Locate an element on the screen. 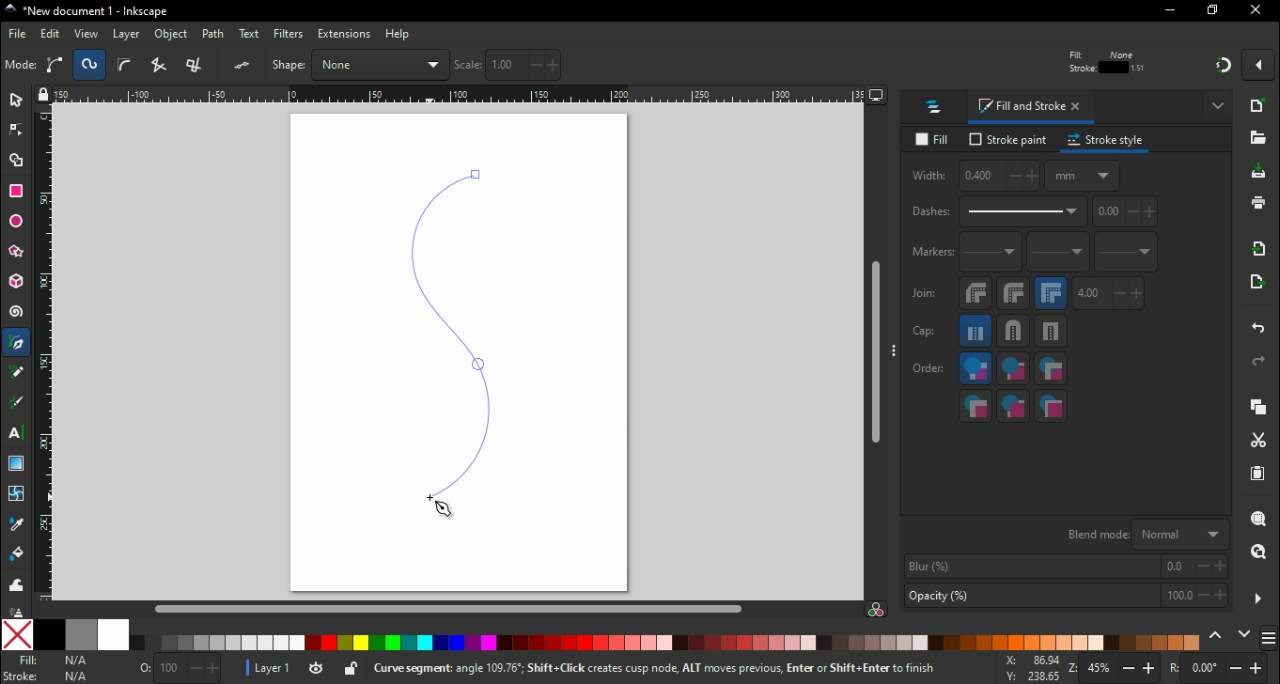 The image size is (1280, 684). order is located at coordinates (929, 370).